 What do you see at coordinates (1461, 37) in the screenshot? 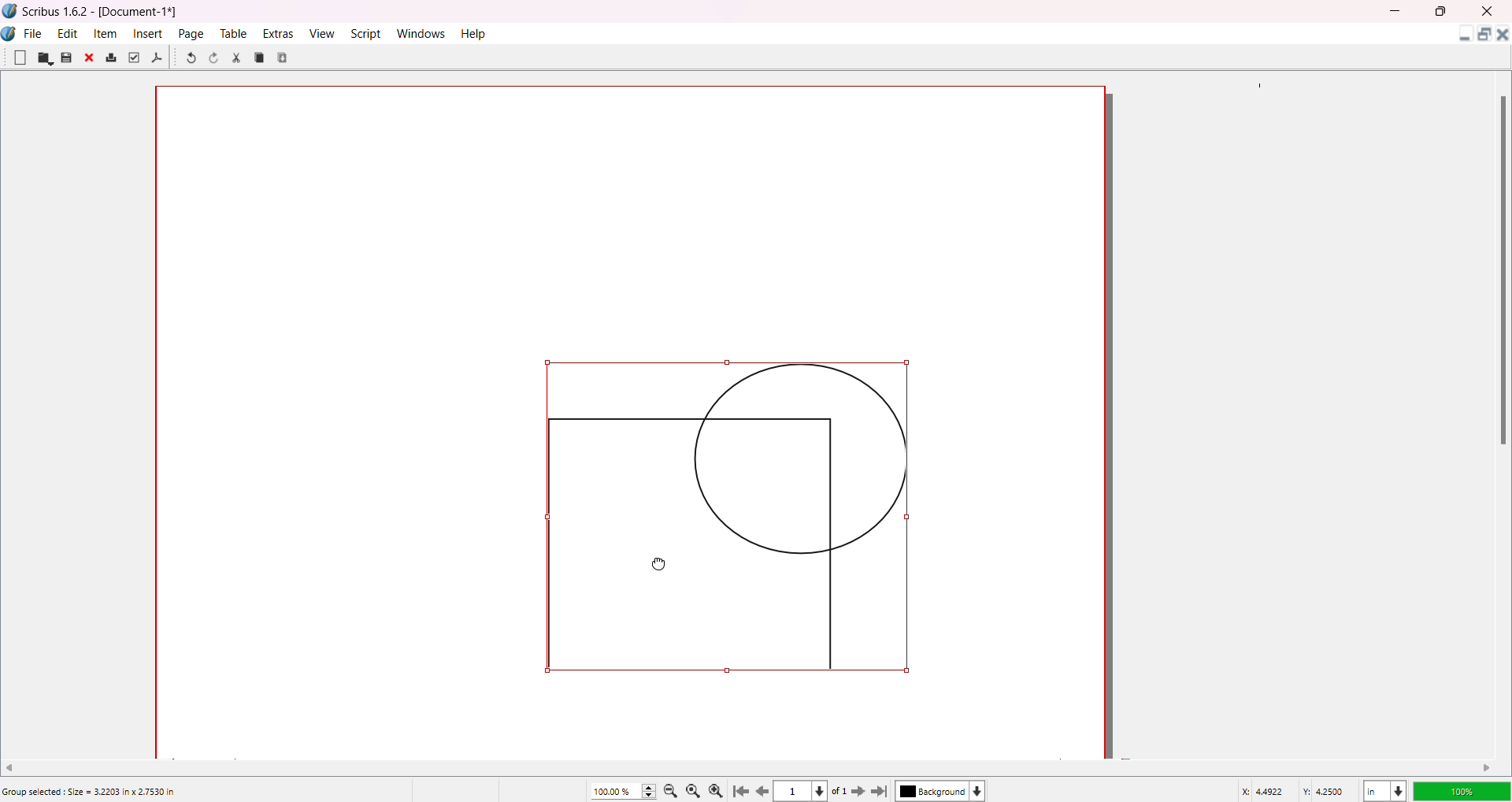
I see `Minimize Document` at bounding box center [1461, 37].